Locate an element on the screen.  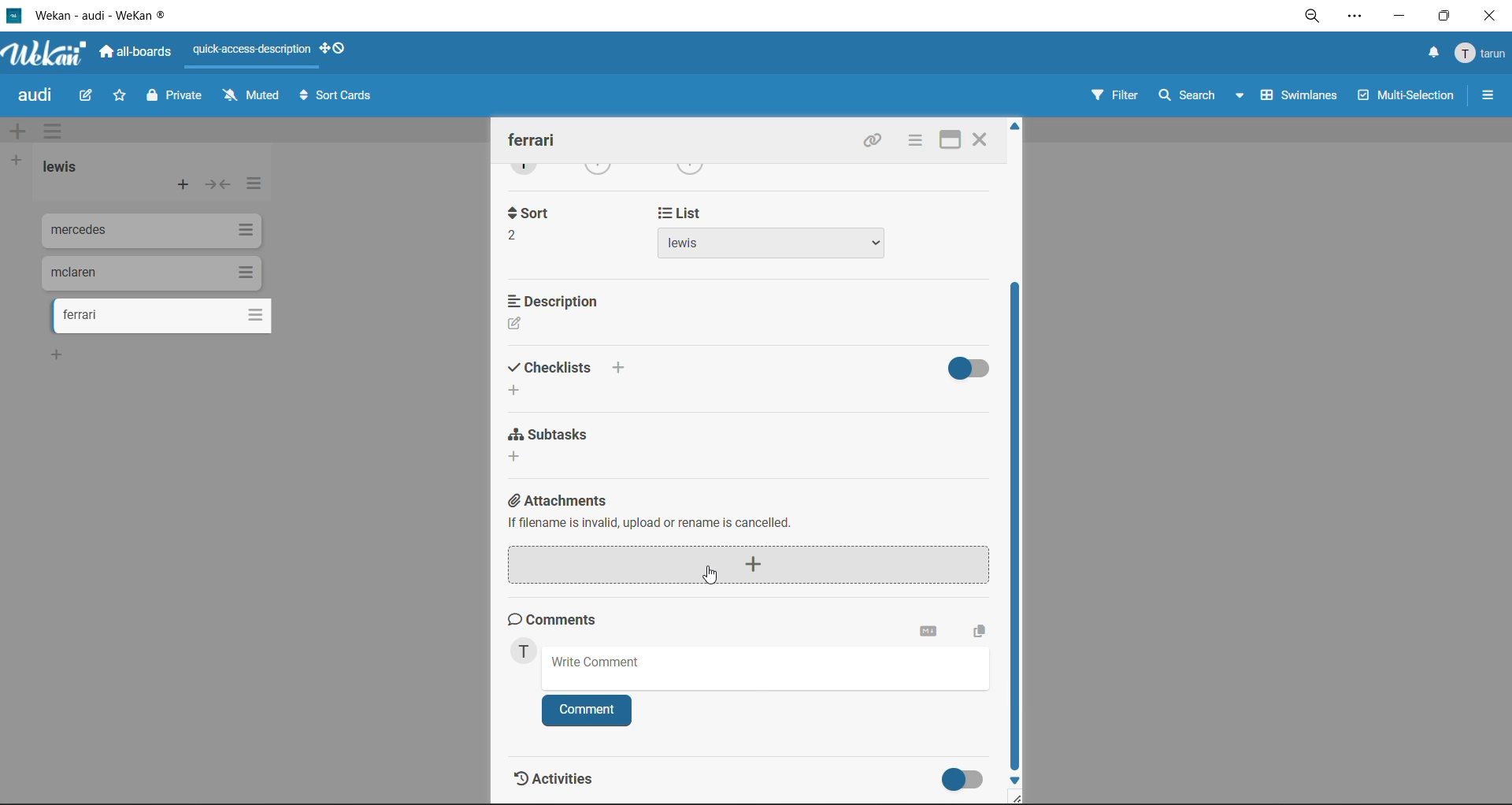
maximize is located at coordinates (1443, 17).